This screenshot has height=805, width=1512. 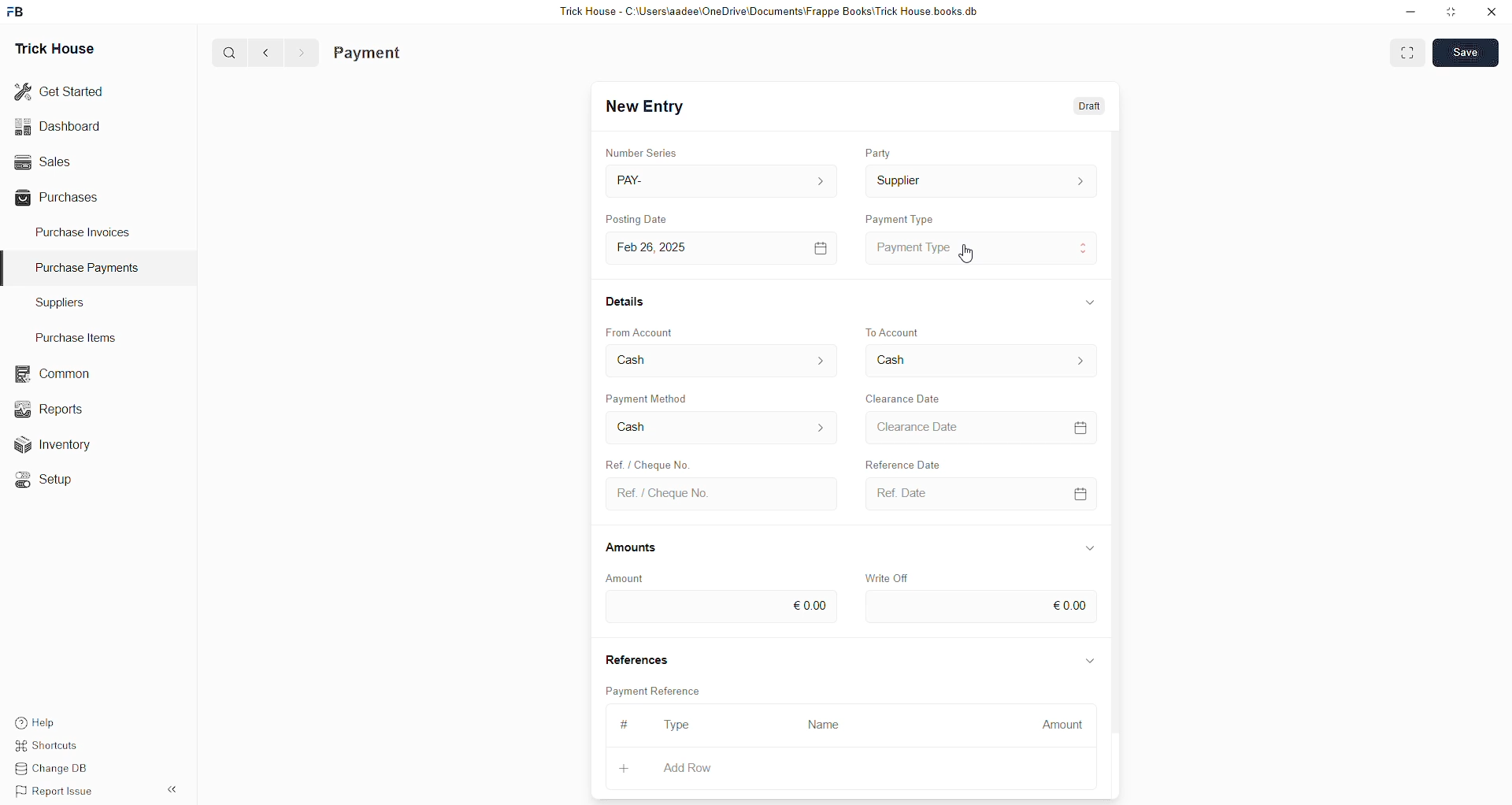 I want to click on Inventory, so click(x=54, y=443).